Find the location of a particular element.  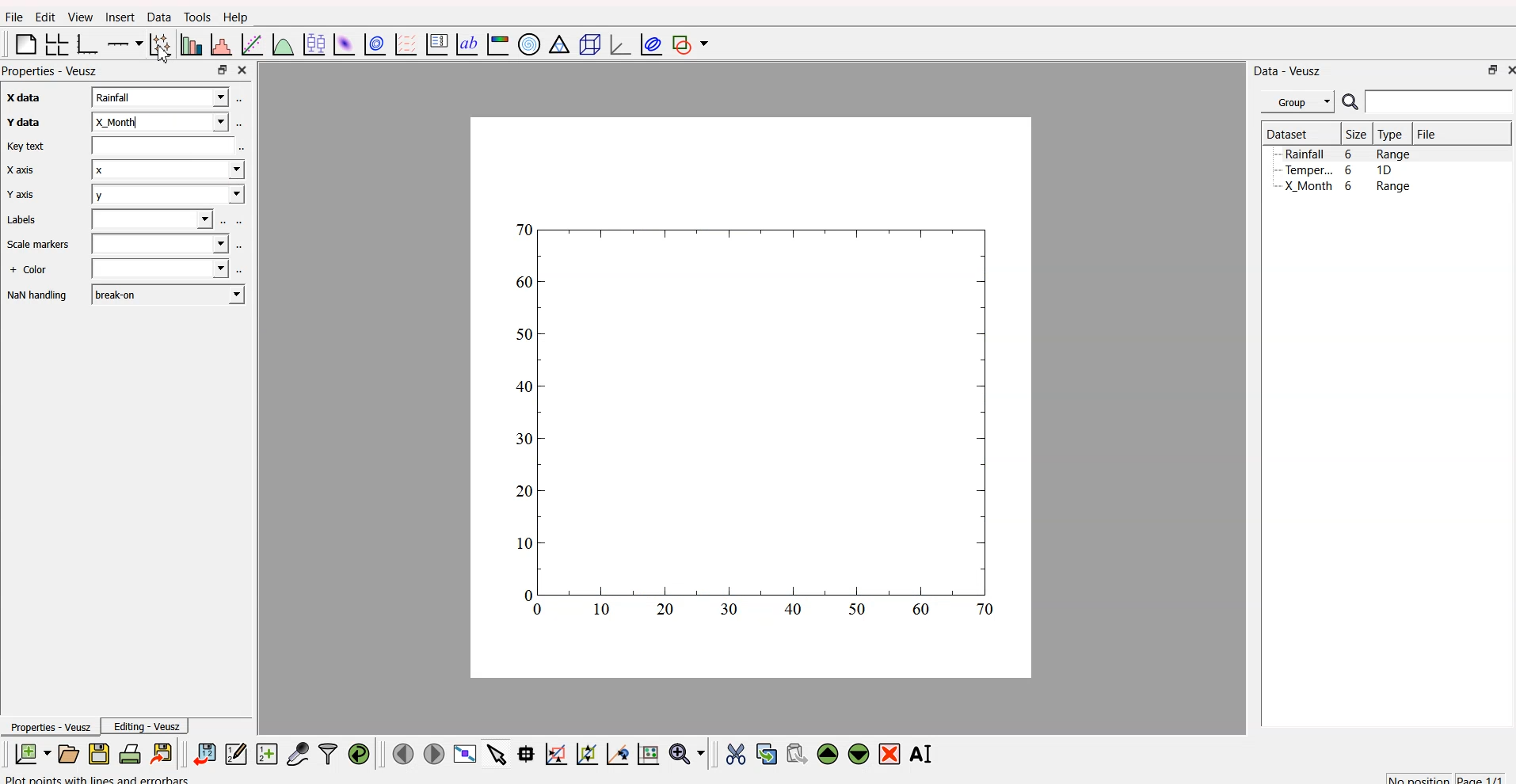

close is located at coordinates (1508, 71).